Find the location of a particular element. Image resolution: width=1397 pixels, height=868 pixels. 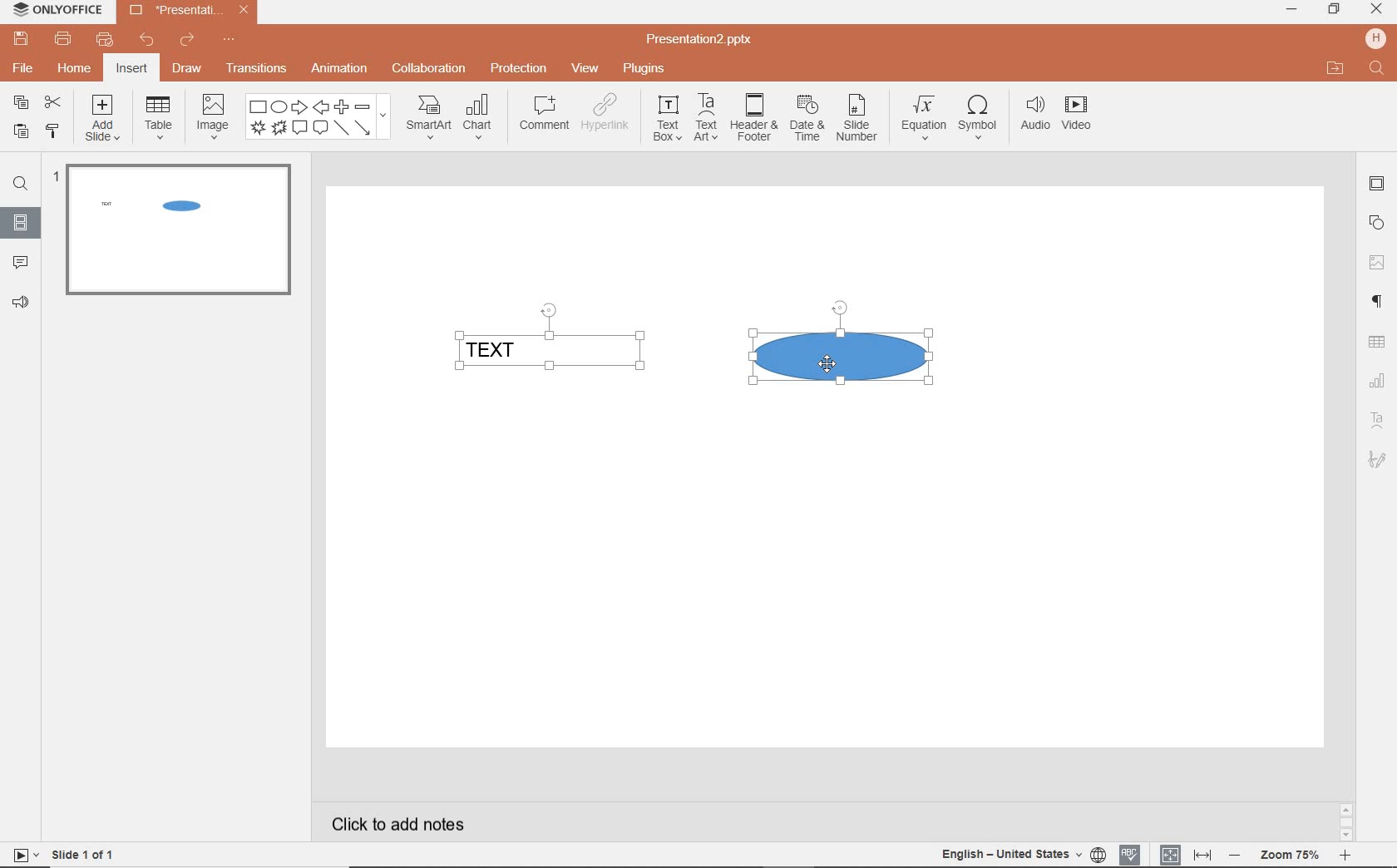

FEEDBACK & SUPPORT is located at coordinates (20, 302).